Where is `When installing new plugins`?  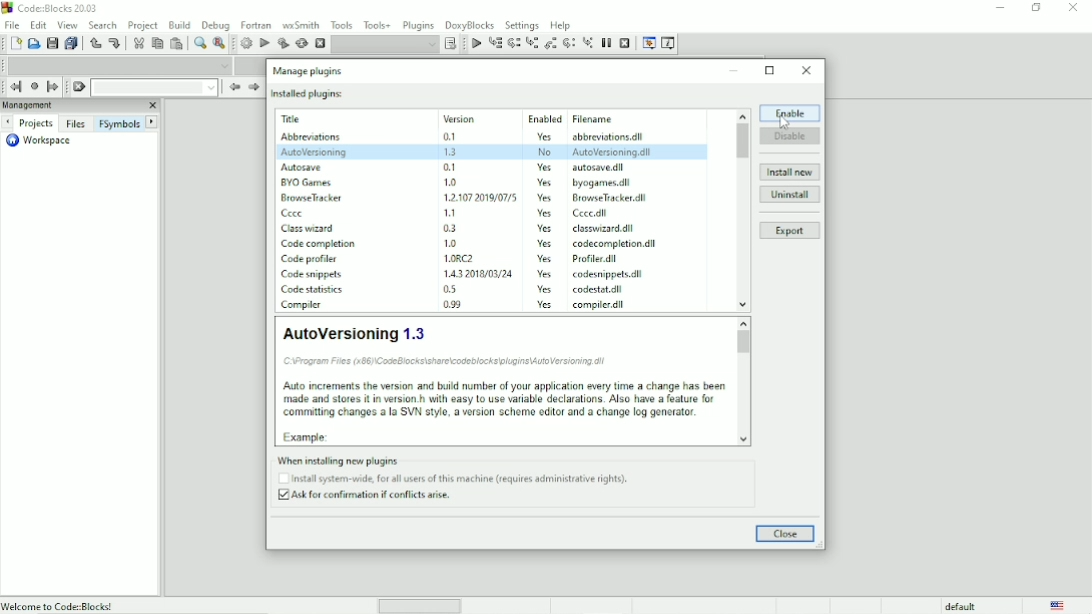
When installing new plugins is located at coordinates (457, 479).